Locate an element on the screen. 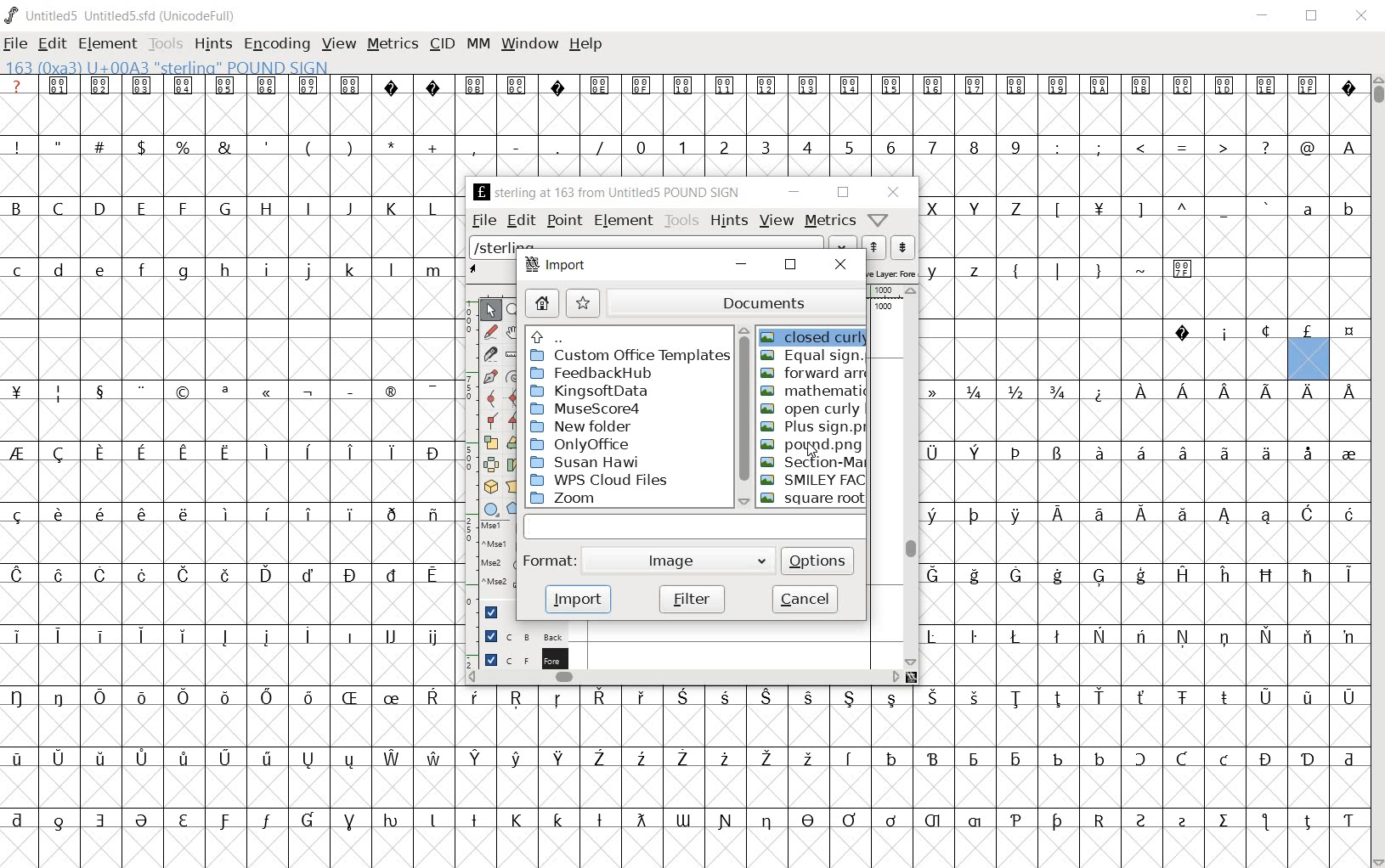 This screenshot has height=868, width=1385. Symbol is located at coordinates (352, 86).